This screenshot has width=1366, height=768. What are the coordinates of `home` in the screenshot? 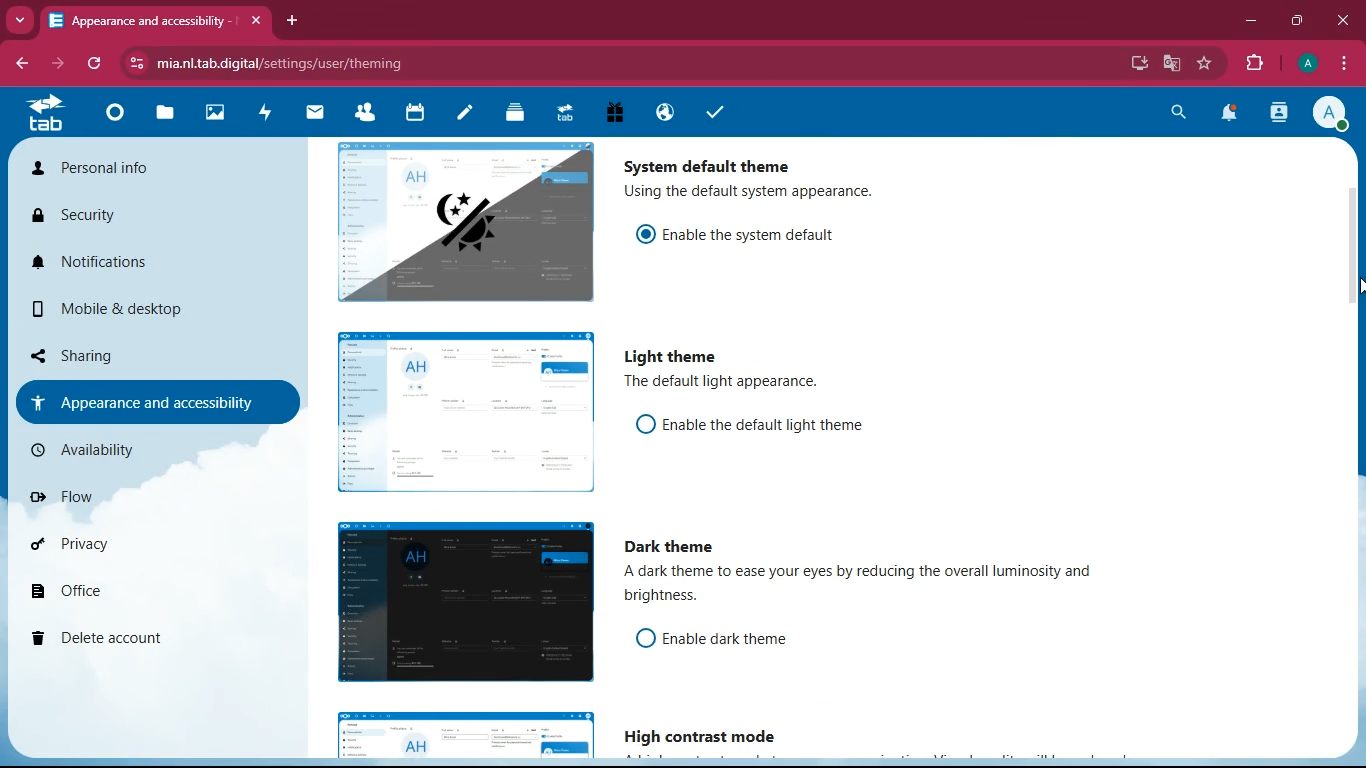 It's located at (114, 118).